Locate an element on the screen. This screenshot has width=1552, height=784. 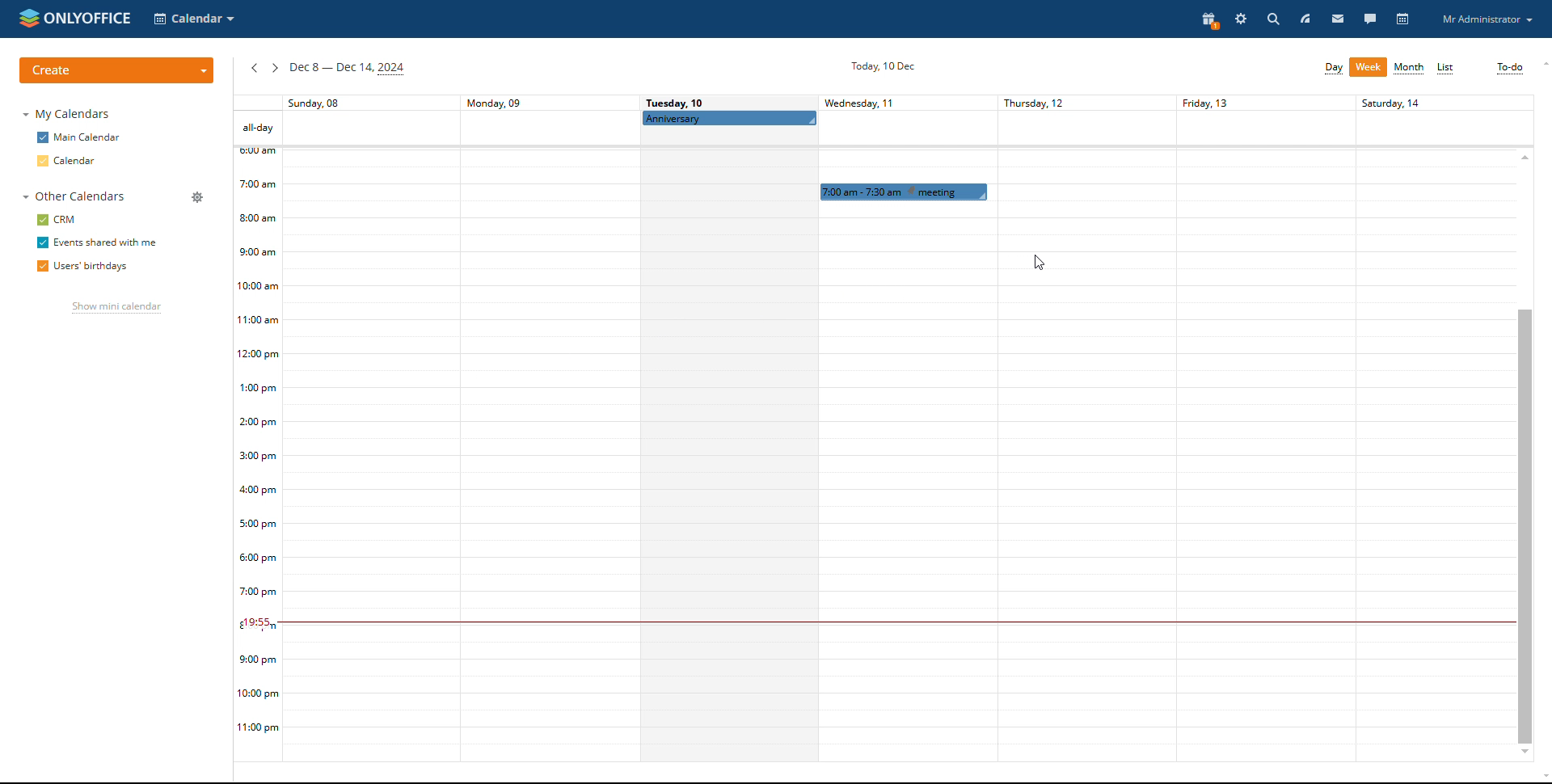
scroll down is located at coordinates (1542, 778).